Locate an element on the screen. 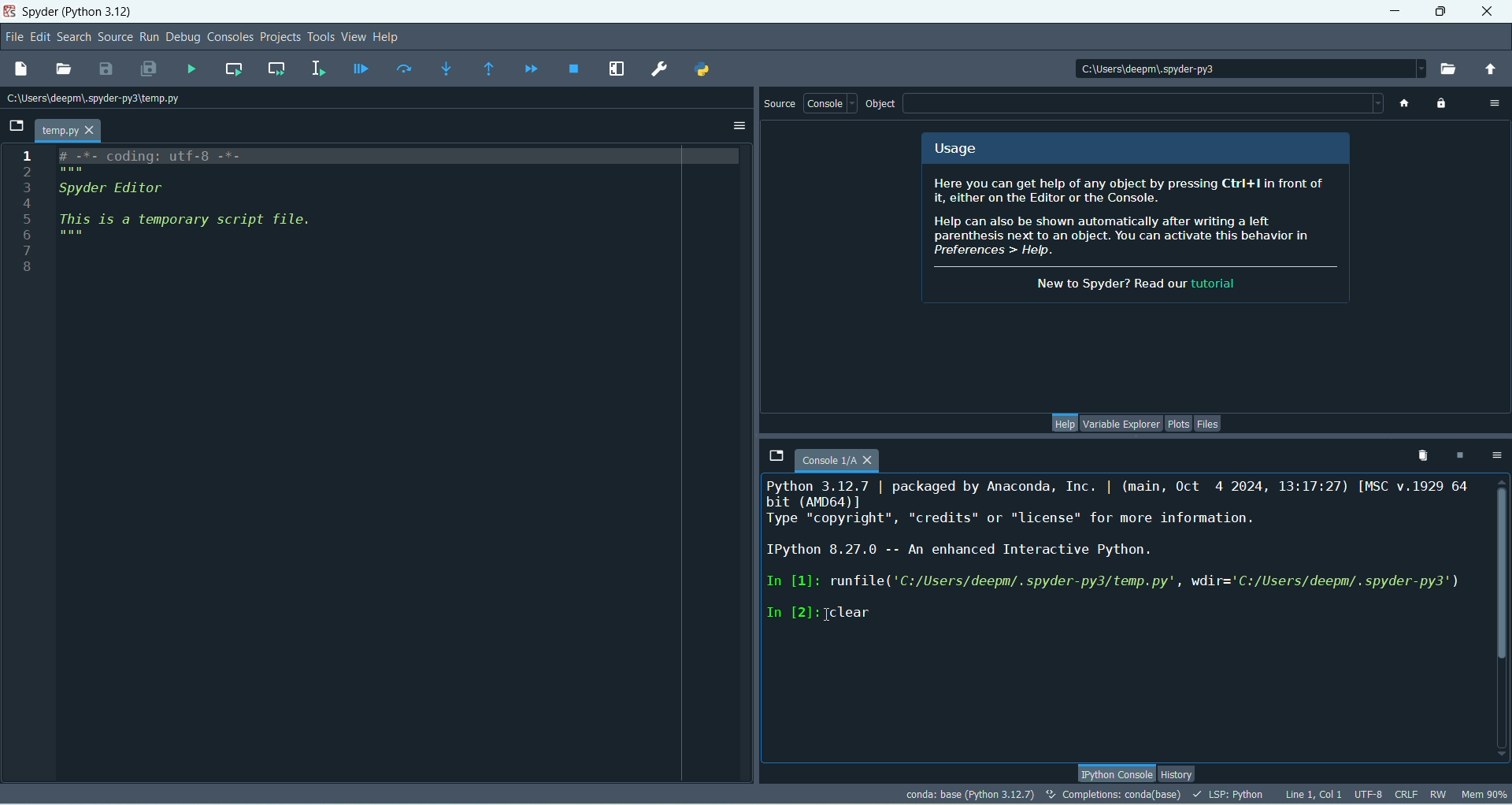  preferences is located at coordinates (658, 70).